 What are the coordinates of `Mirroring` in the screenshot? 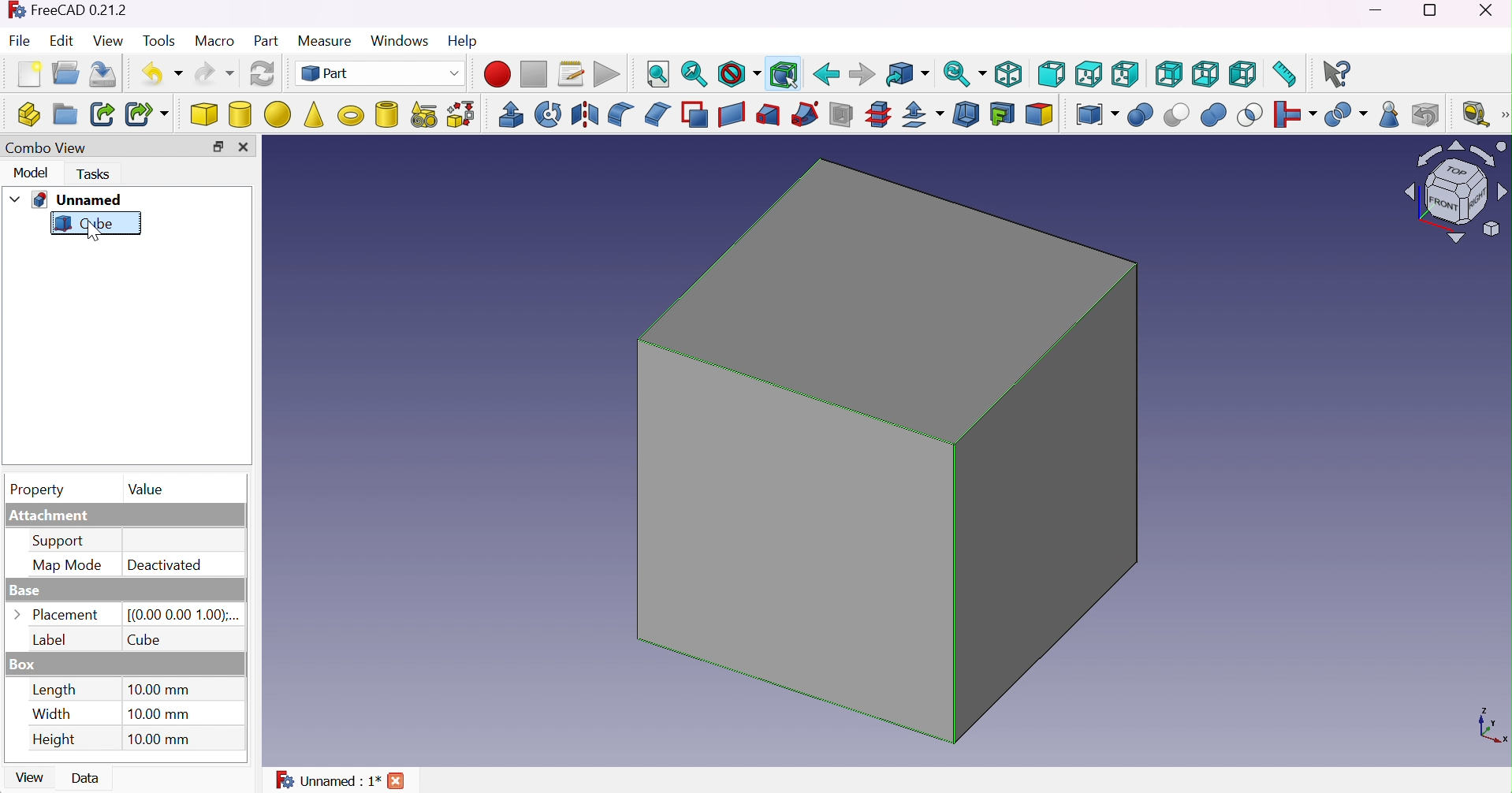 It's located at (586, 116).